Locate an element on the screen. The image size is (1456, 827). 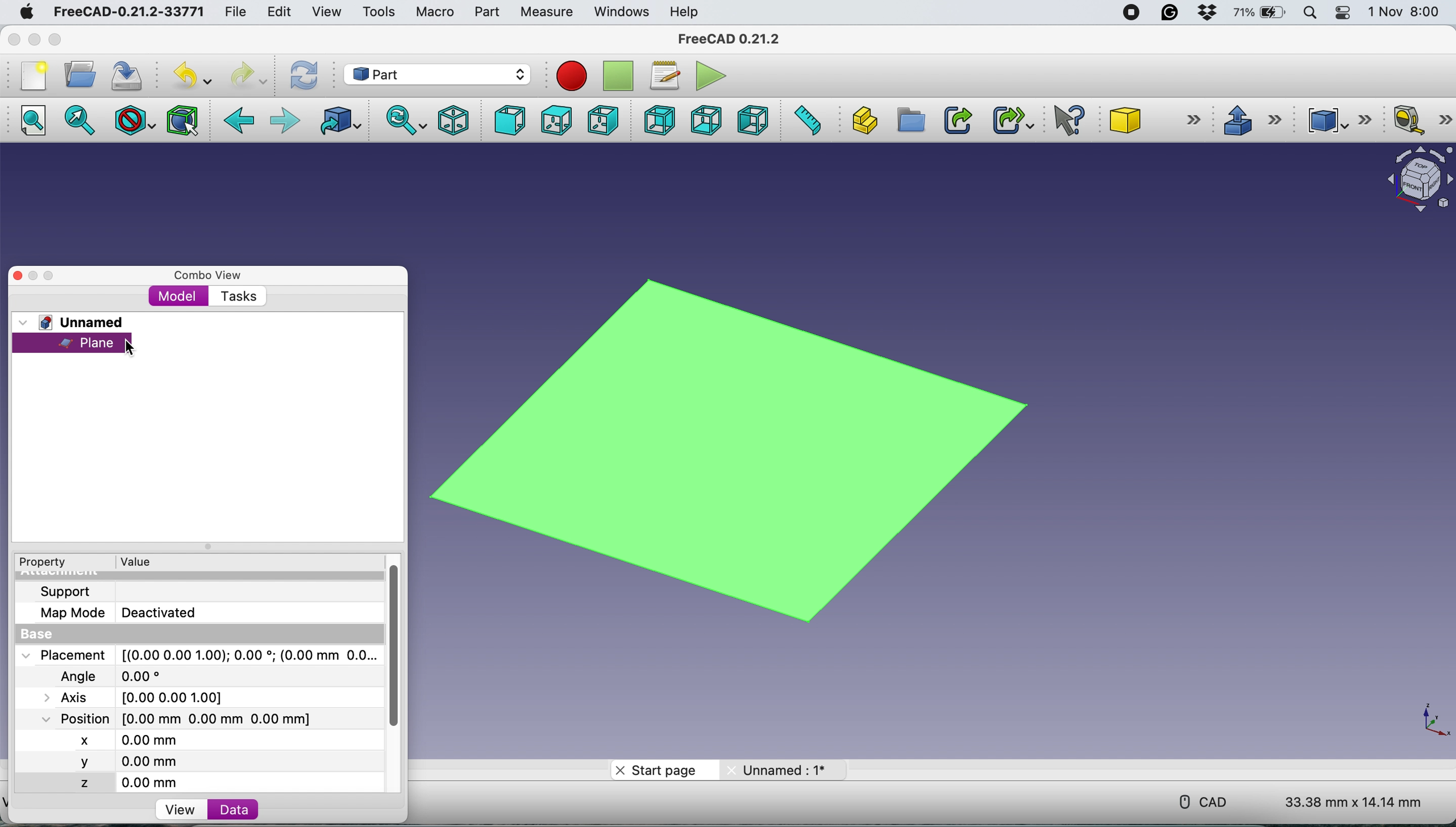
system logo is located at coordinates (26, 12).